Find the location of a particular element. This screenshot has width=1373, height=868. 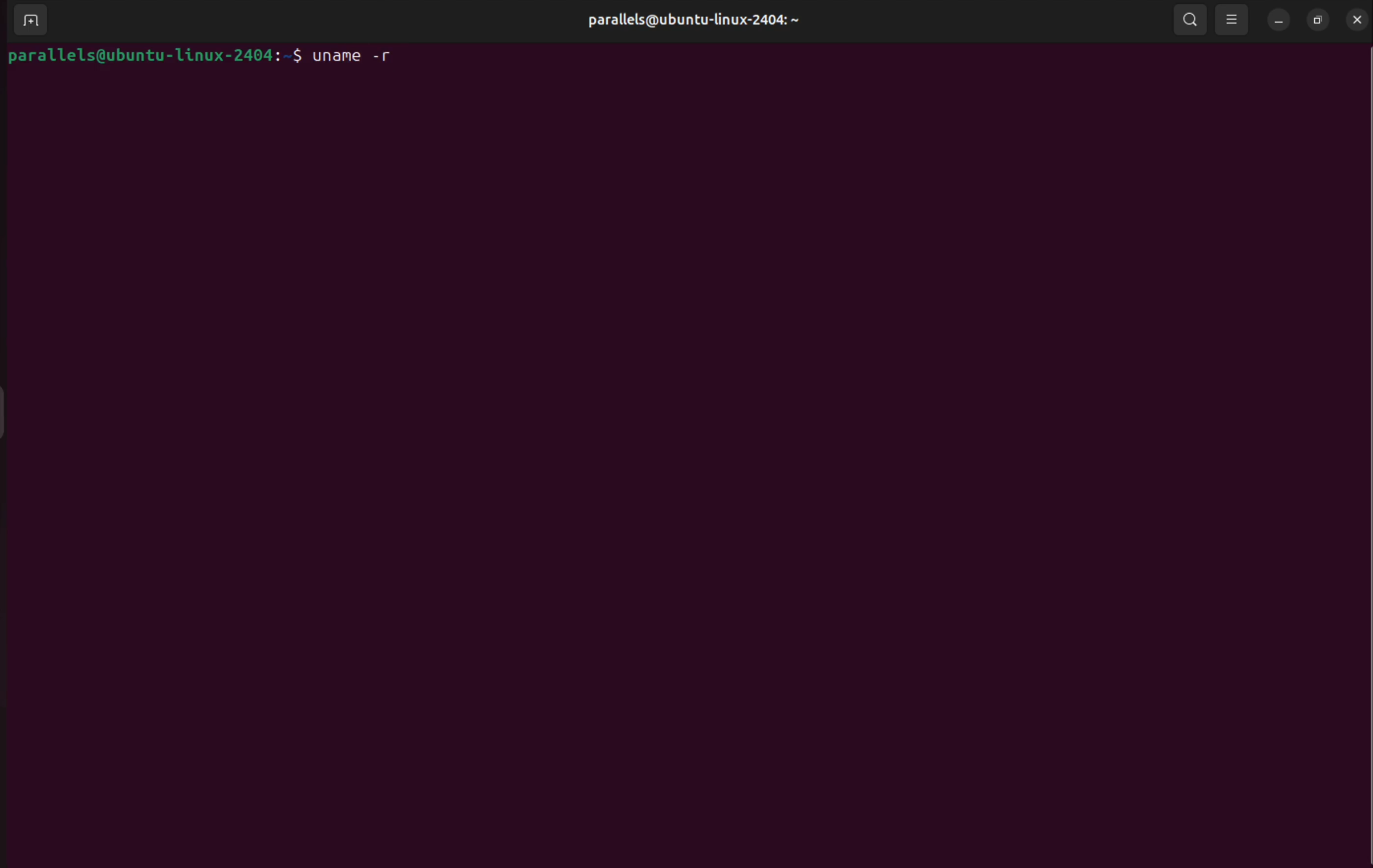

minimize is located at coordinates (1276, 20).